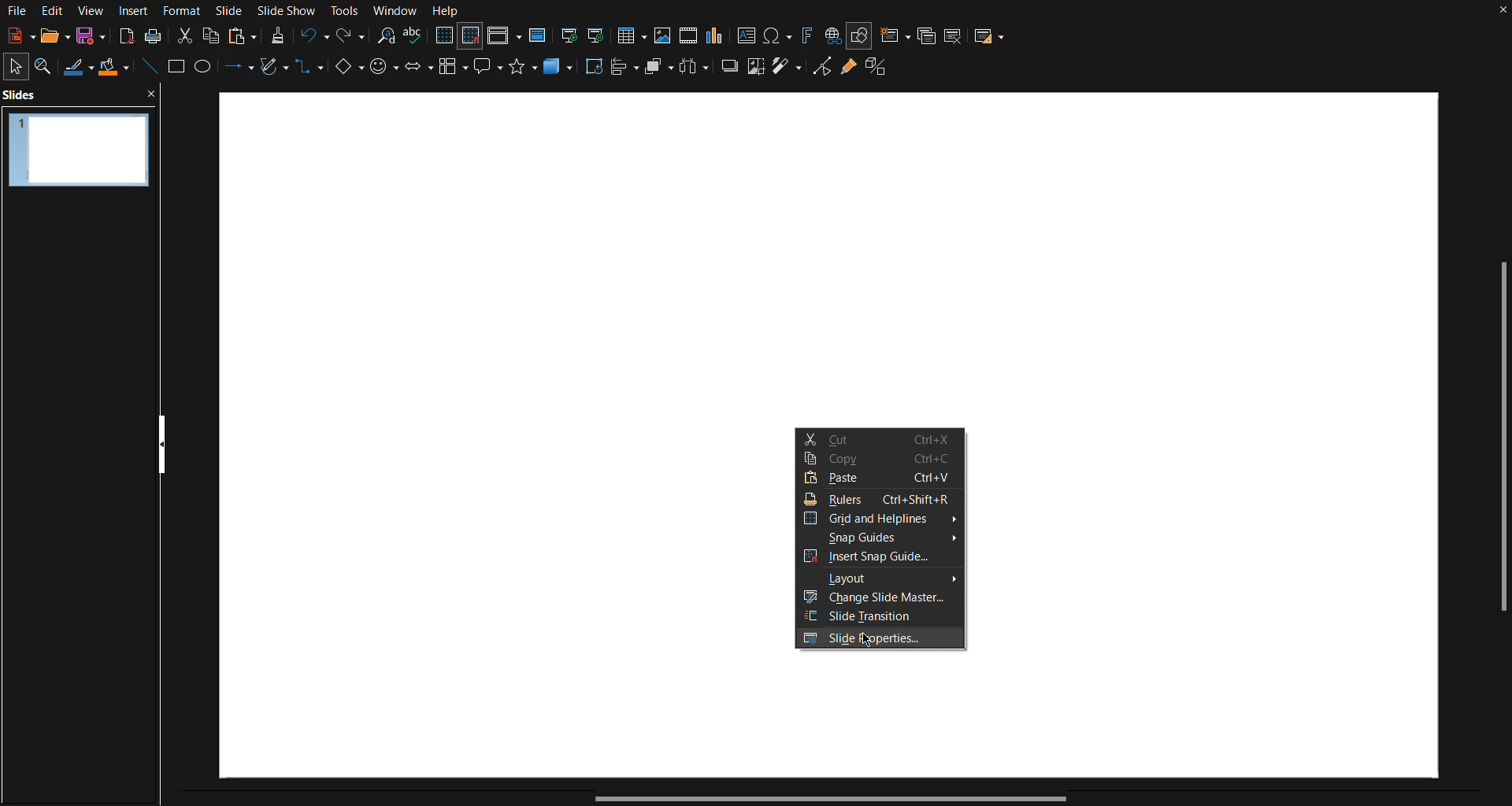  I want to click on Layout, so click(880, 580).